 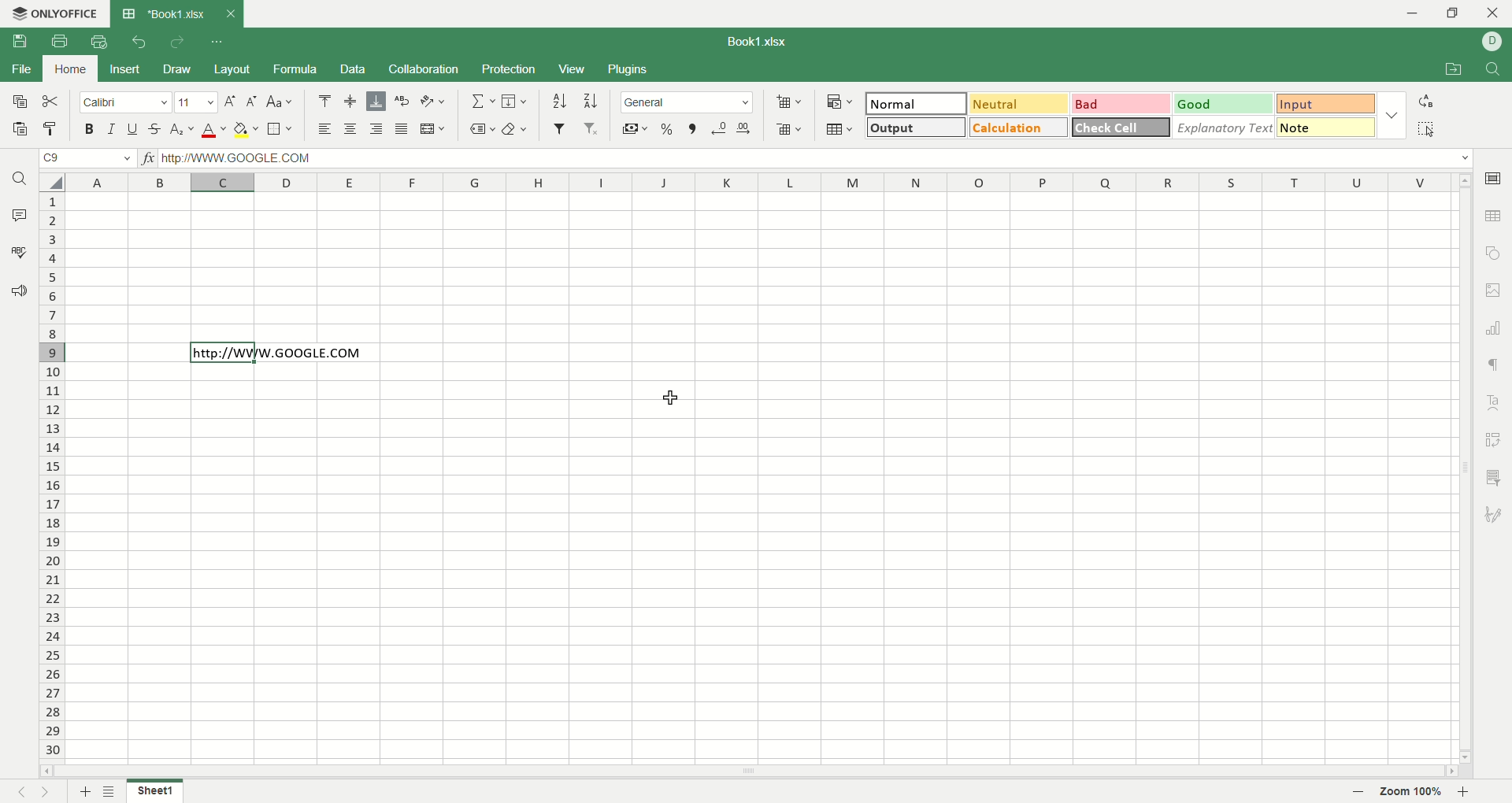 What do you see at coordinates (18, 251) in the screenshot?
I see `spell check` at bounding box center [18, 251].